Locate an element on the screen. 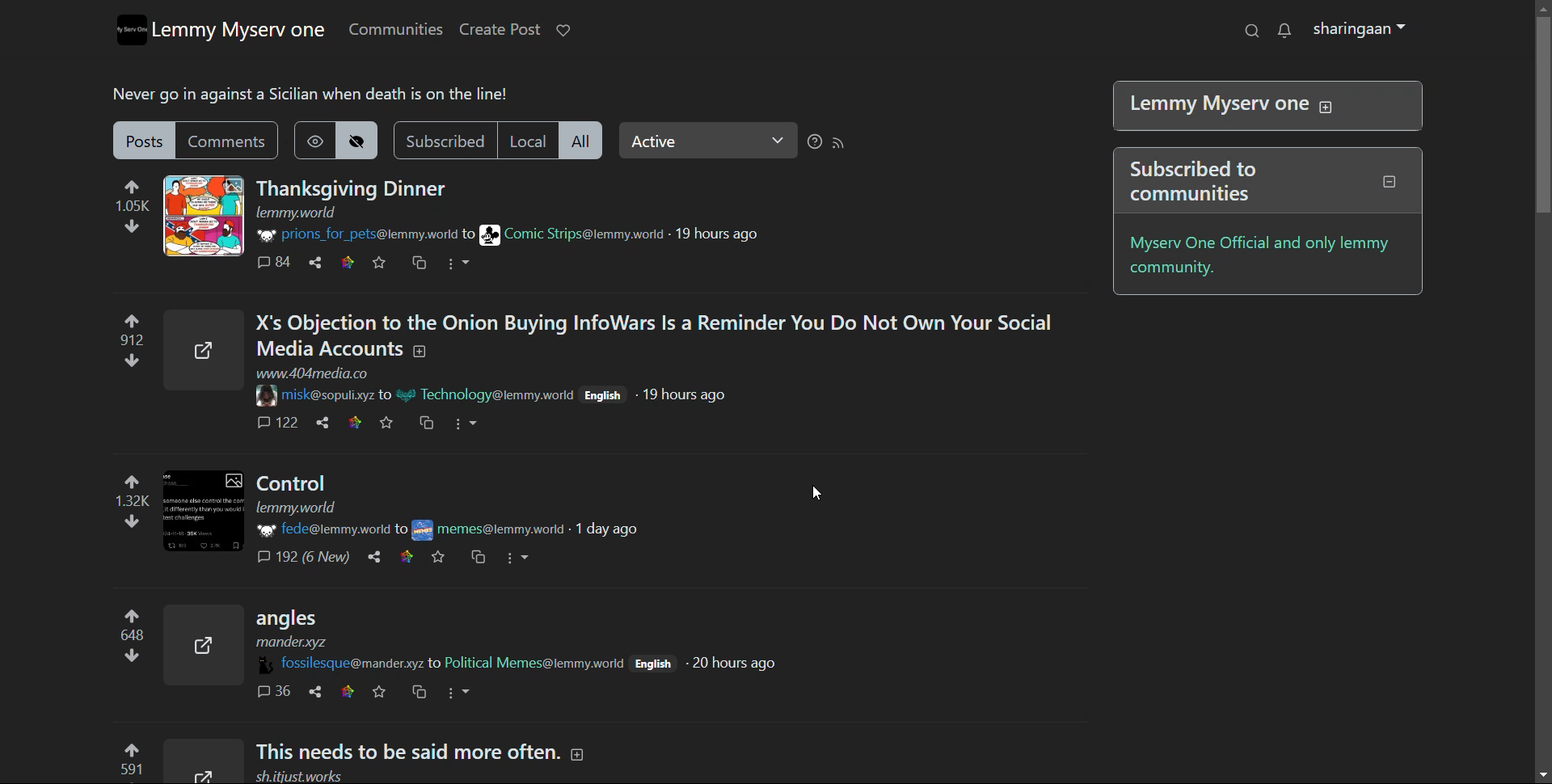  Post on "This needs to be said more often." is located at coordinates (433, 752).